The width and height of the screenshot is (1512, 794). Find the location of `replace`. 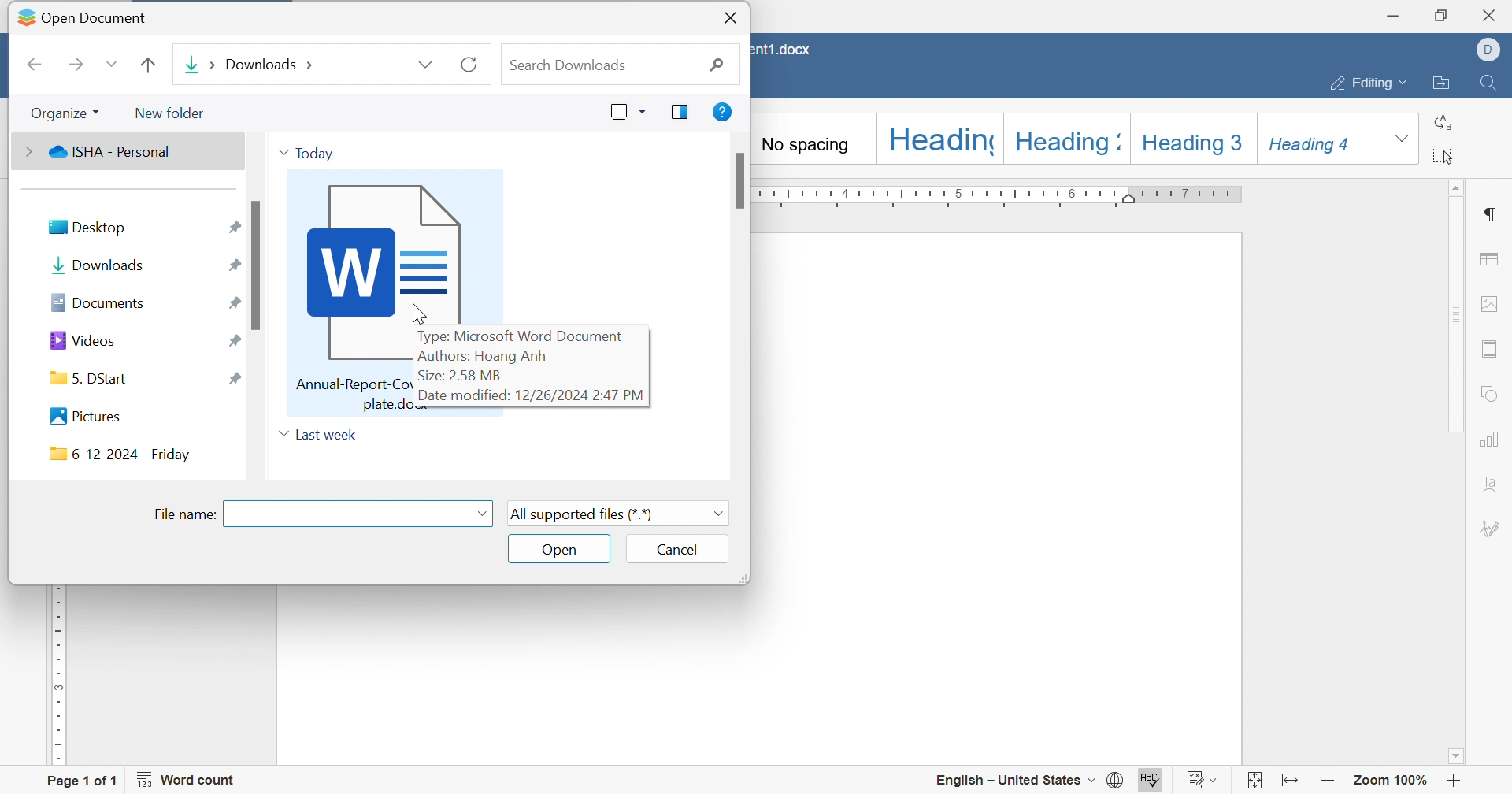

replace is located at coordinates (1445, 121).